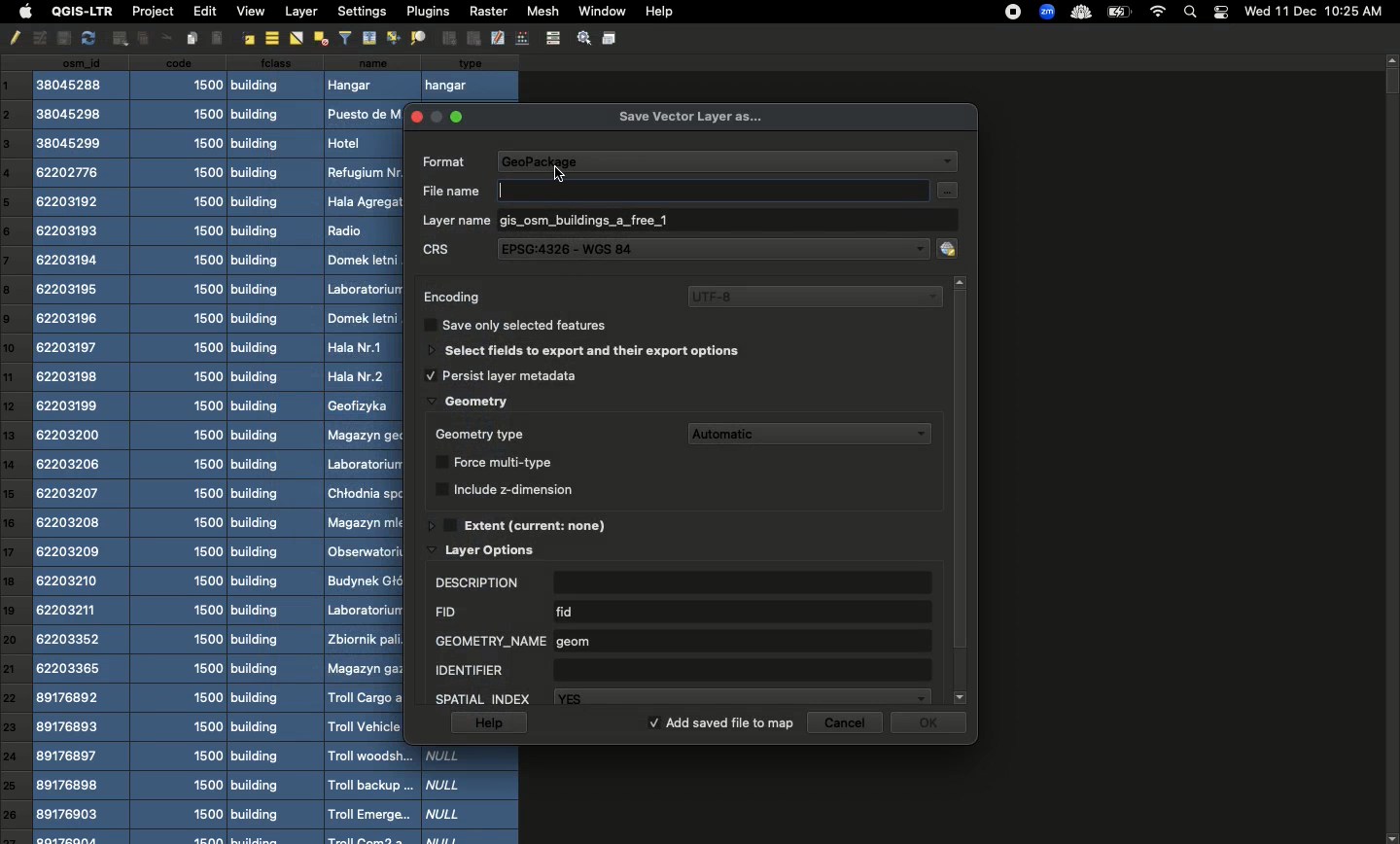 Image resolution: width=1400 pixels, height=844 pixels. Describe the element at coordinates (274, 448) in the screenshot. I see `class` at that location.